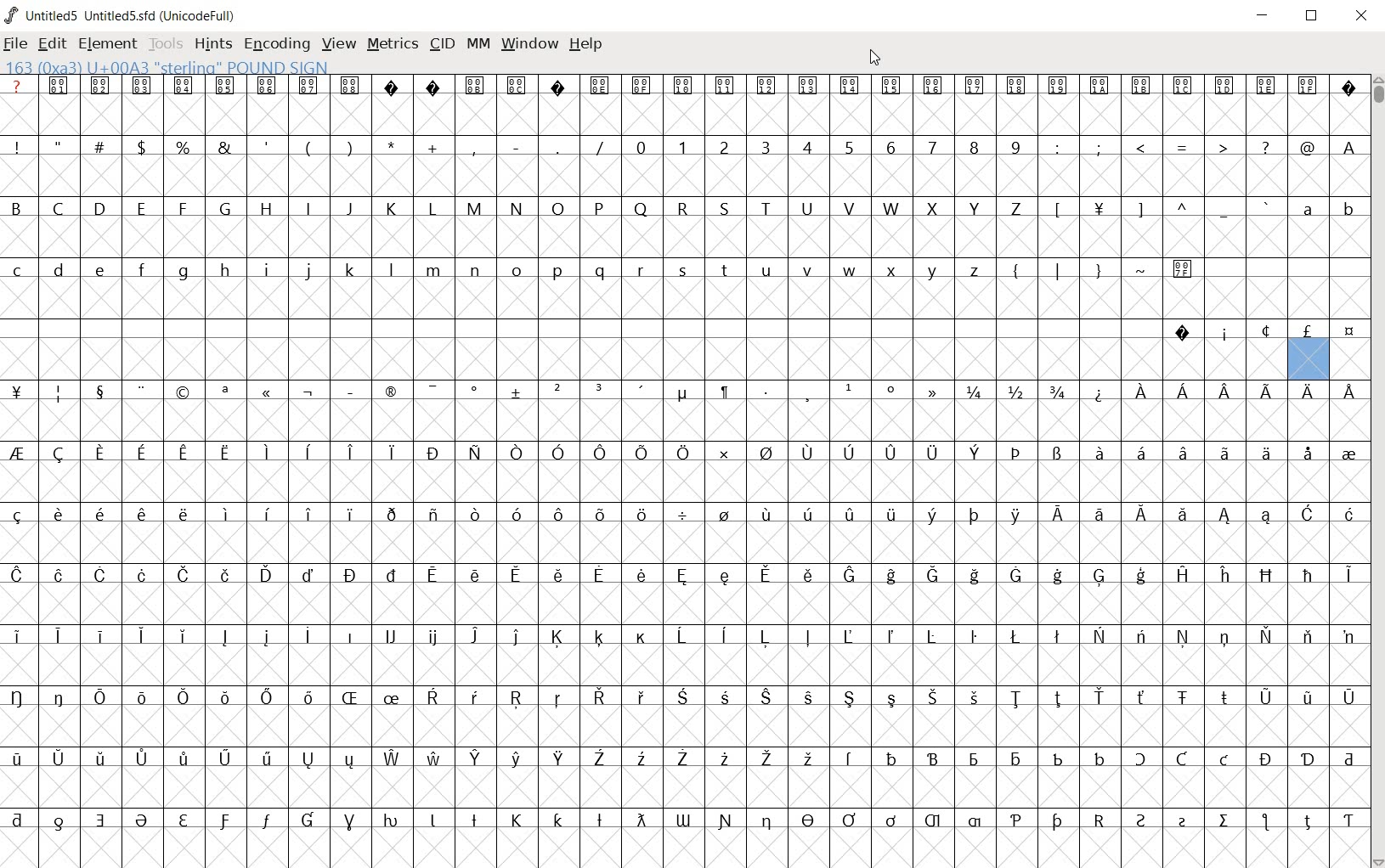  I want to click on Symbol, so click(517, 390).